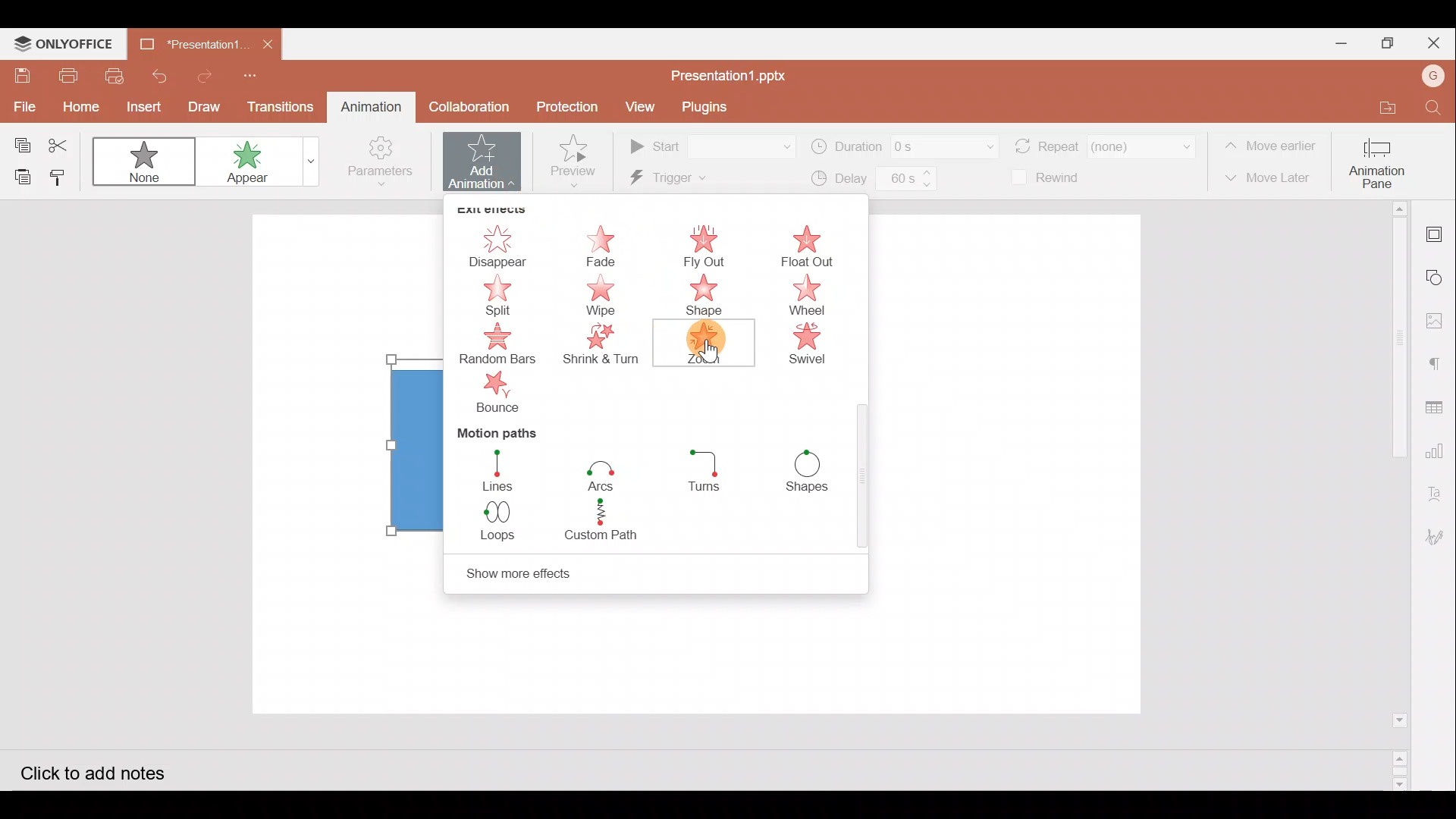 The width and height of the screenshot is (1456, 819). Describe the element at coordinates (1377, 108) in the screenshot. I see `Open file location` at that location.